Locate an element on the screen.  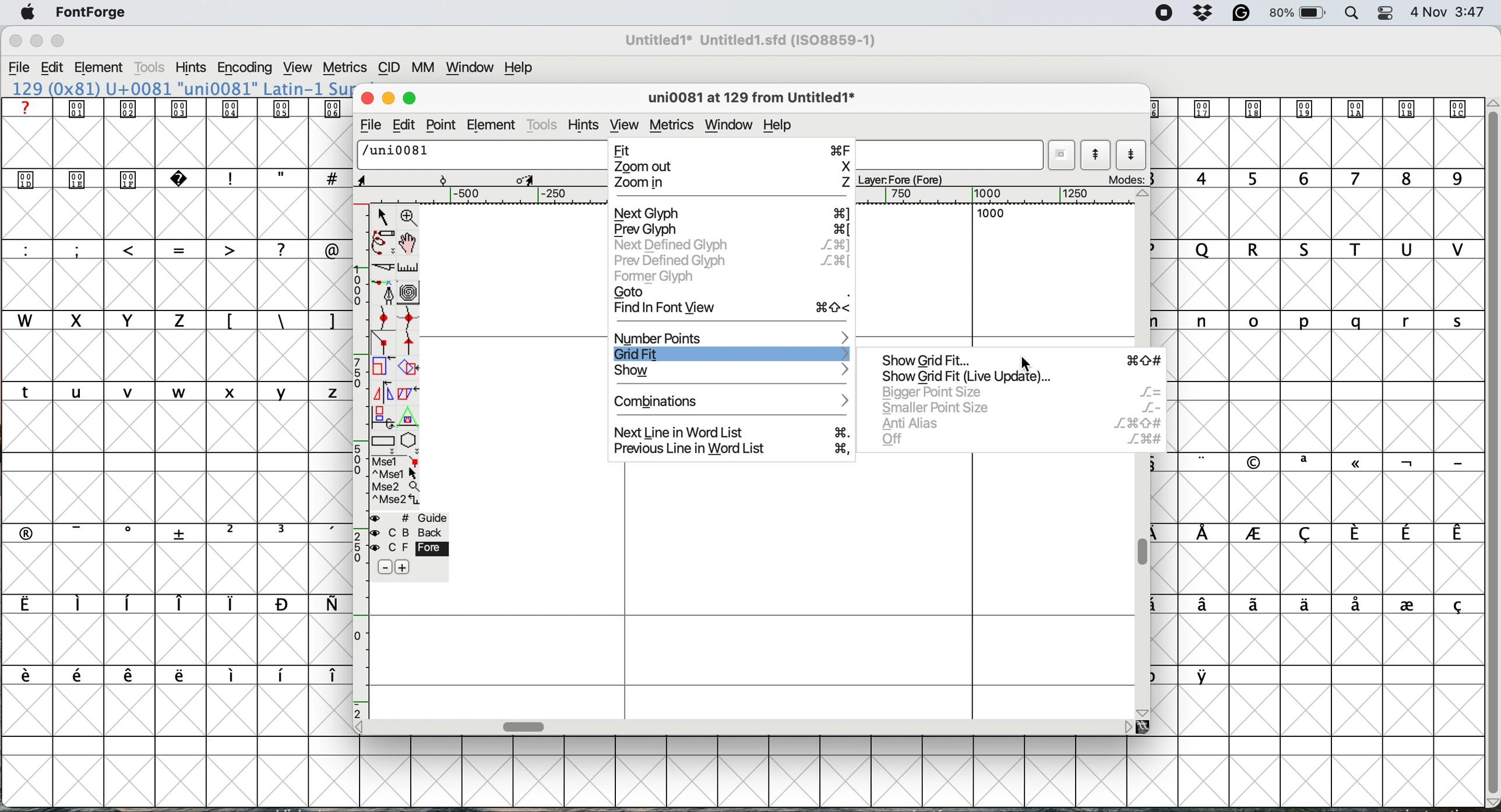
Encoding is located at coordinates (247, 68).